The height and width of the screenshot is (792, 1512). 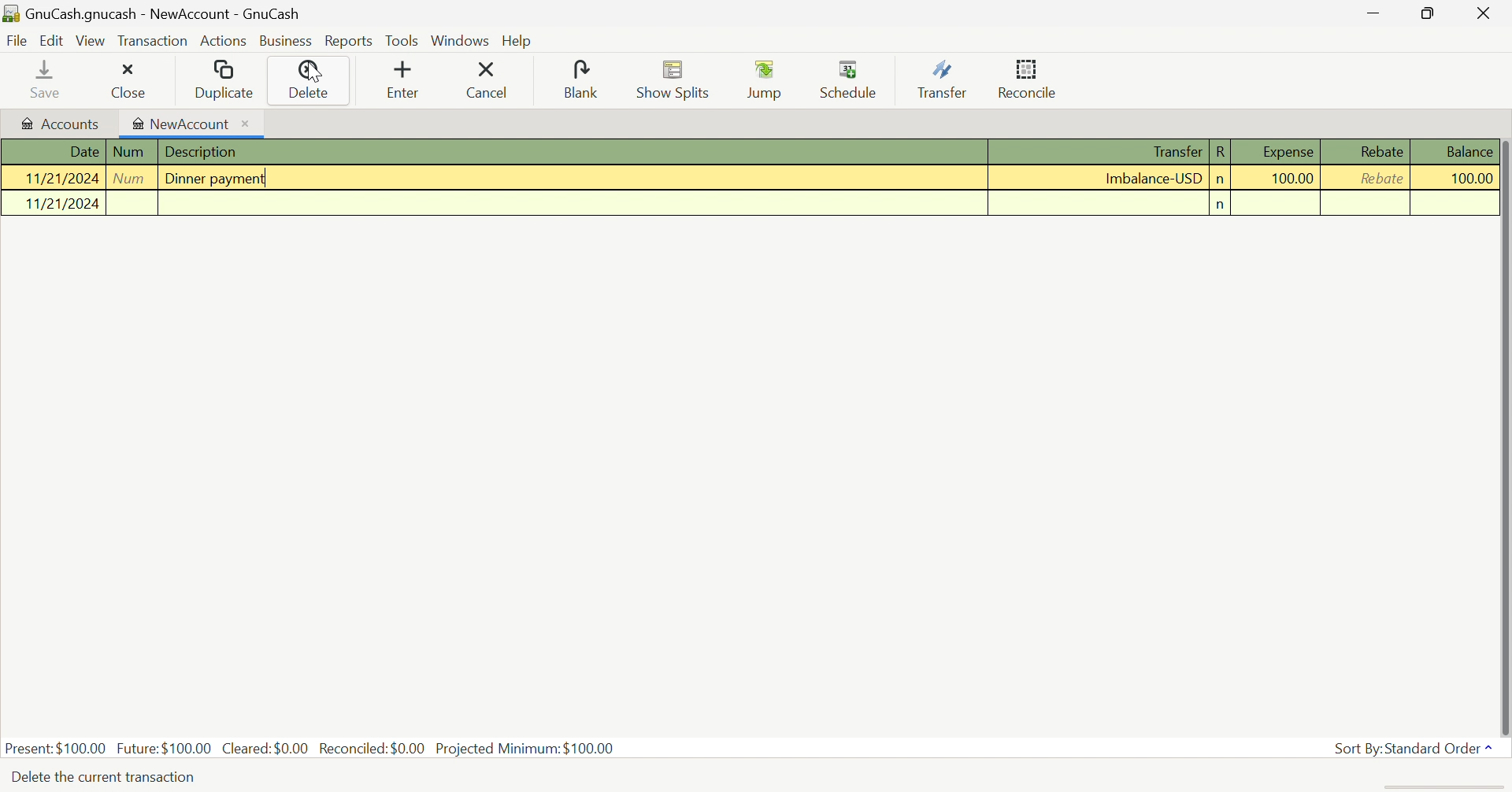 What do you see at coordinates (50, 80) in the screenshot?
I see `save` at bounding box center [50, 80].